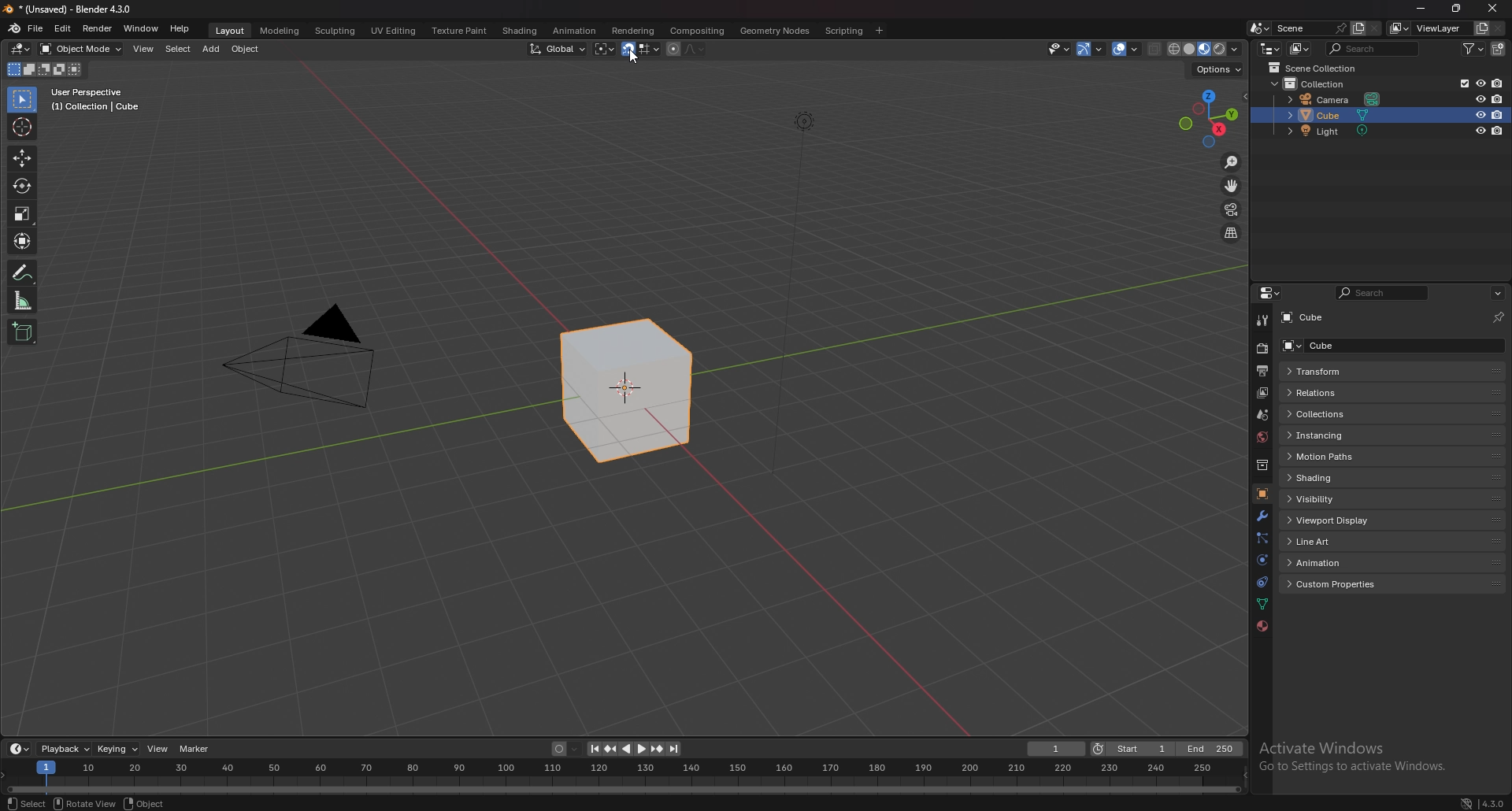 Image resolution: width=1512 pixels, height=811 pixels. I want to click on network, so click(1467, 801).